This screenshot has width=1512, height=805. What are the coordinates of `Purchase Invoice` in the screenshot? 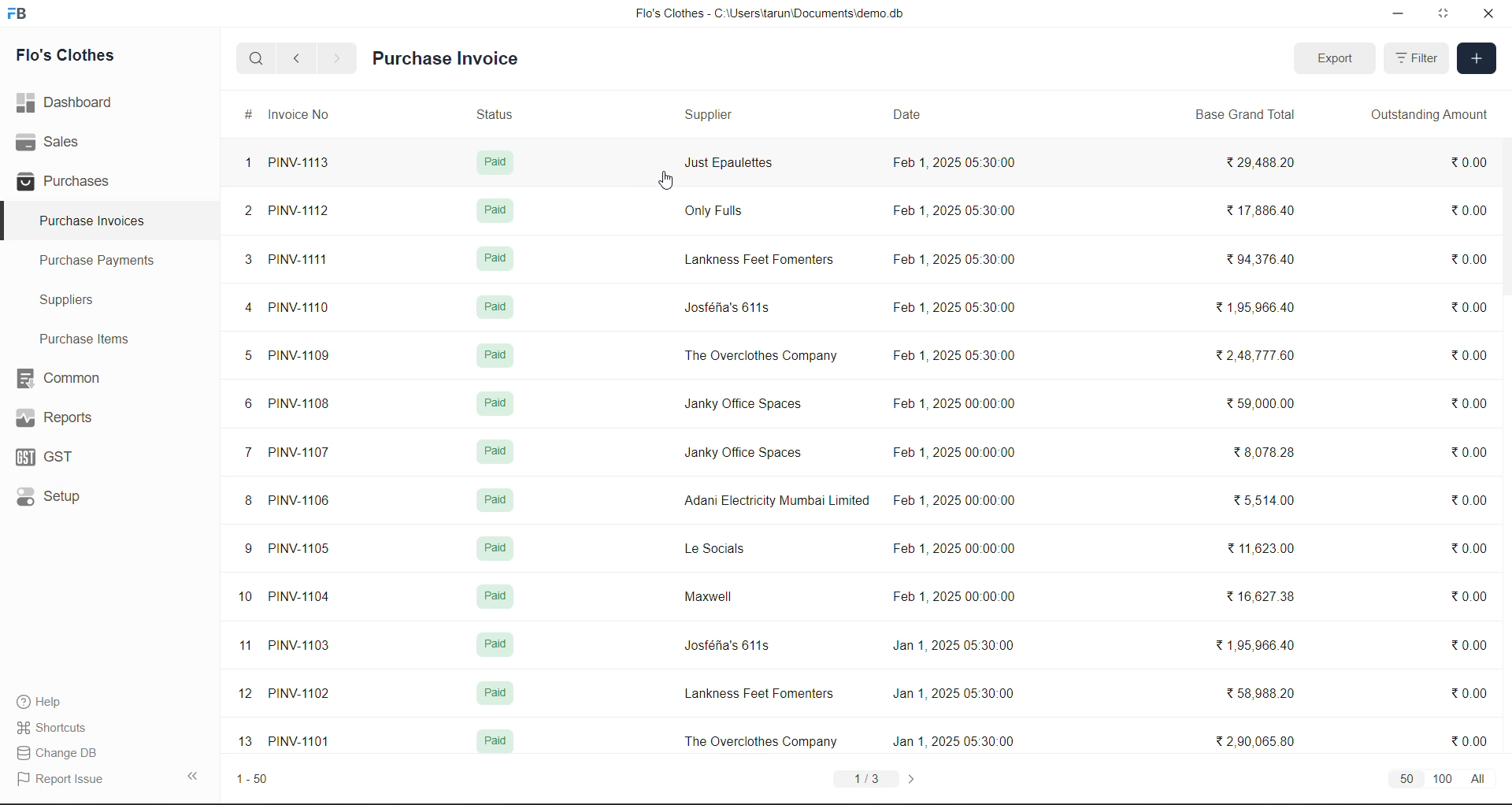 It's located at (447, 59).